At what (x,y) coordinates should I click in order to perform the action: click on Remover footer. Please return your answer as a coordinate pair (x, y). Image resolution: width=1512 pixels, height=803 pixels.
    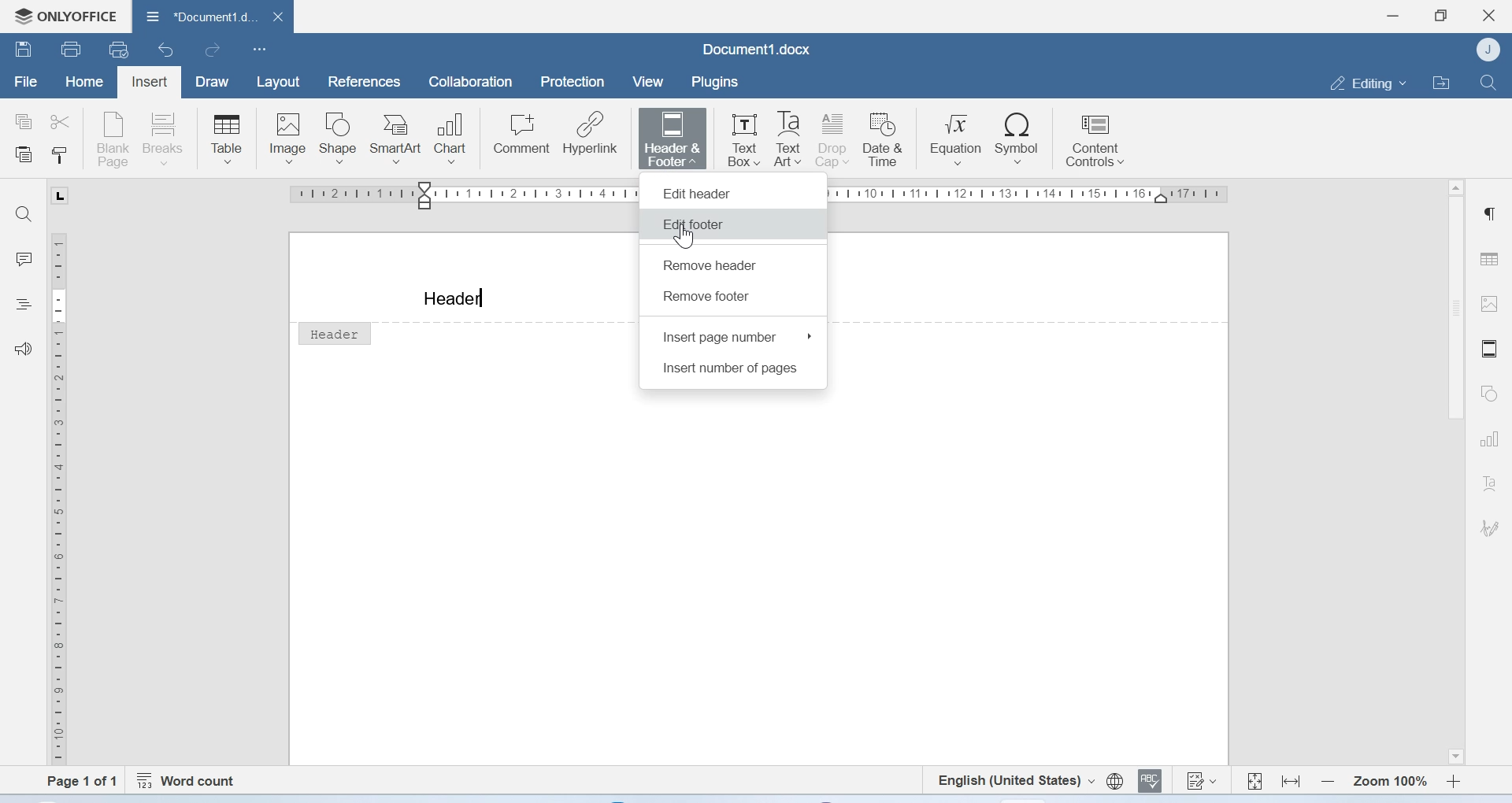
    Looking at the image, I should click on (709, 296).